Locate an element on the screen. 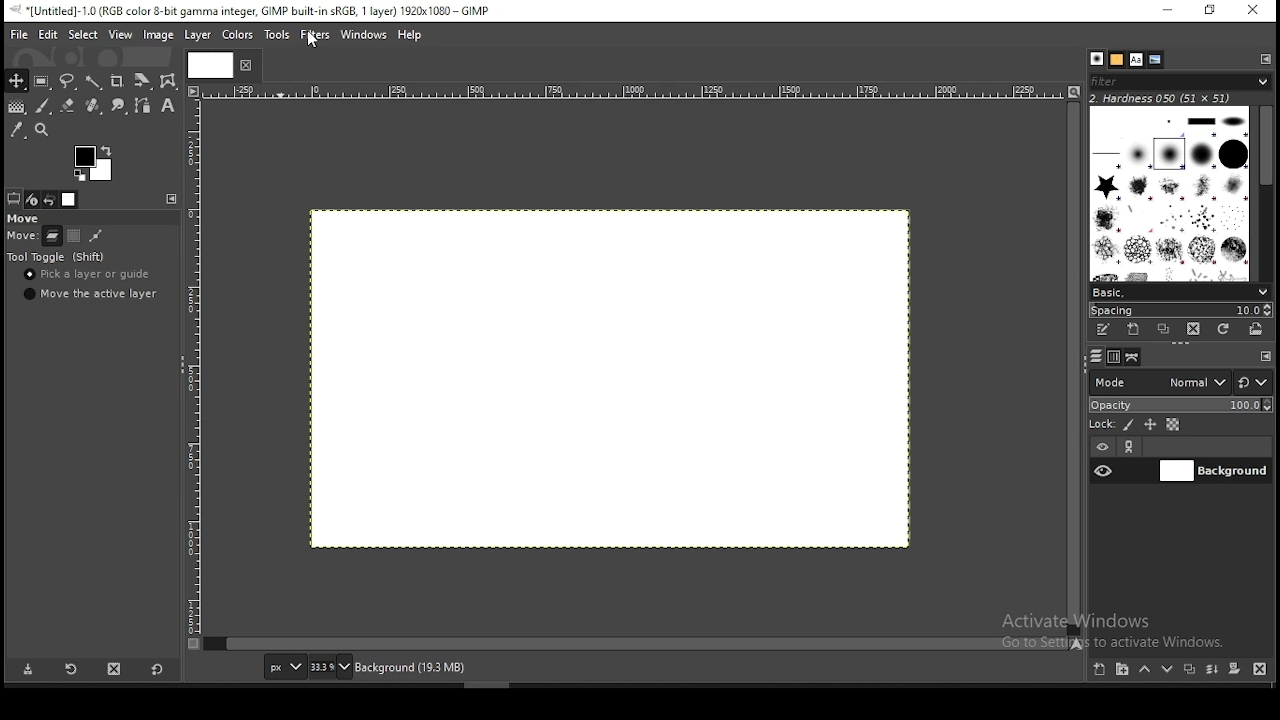  duplicate layer is located at coordinates (1189, 672).